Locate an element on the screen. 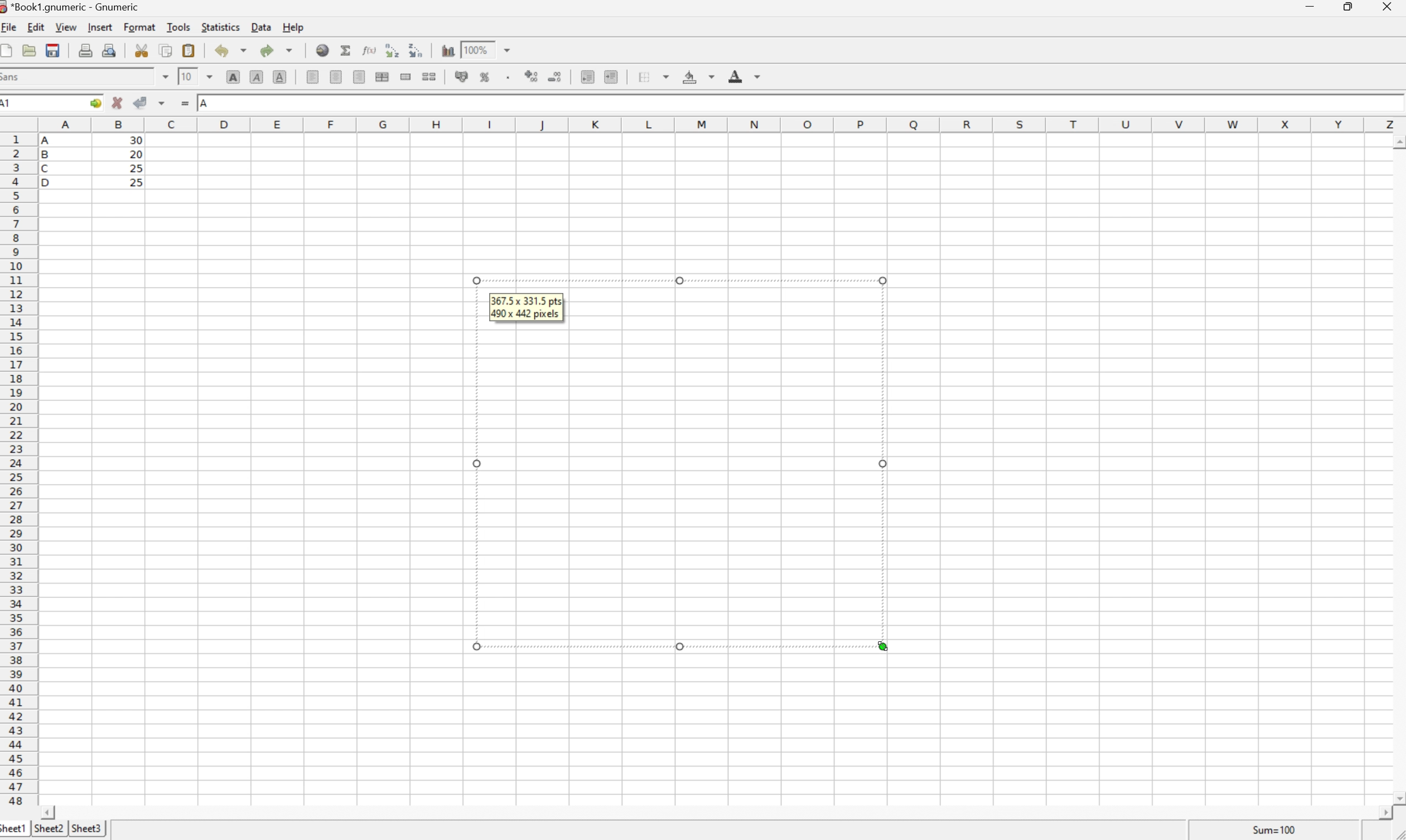  Merge horizontally across the selection is located at coordinates (382, 76).